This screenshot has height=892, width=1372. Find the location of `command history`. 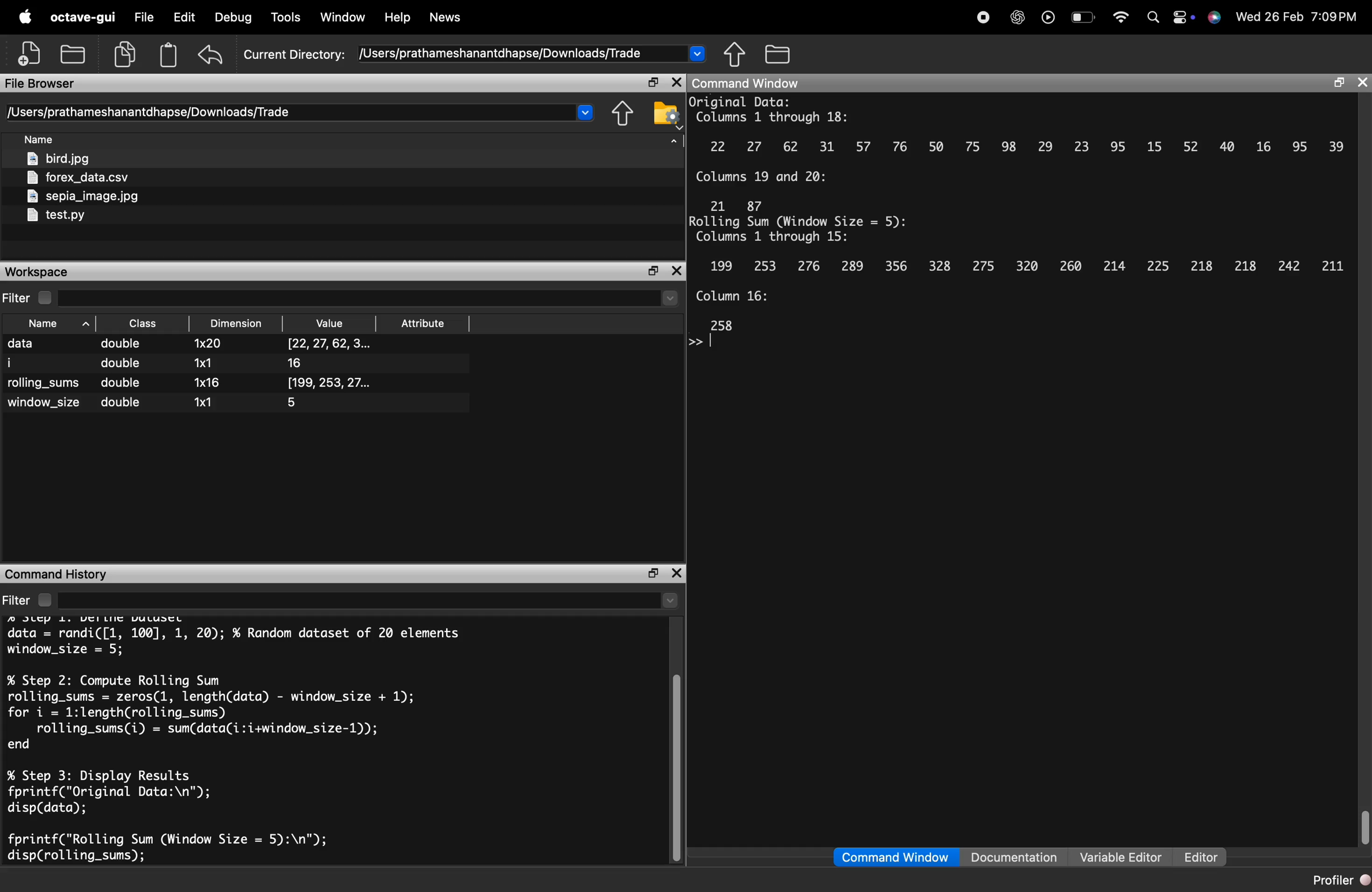

command history is located at coordinates (61, 574).